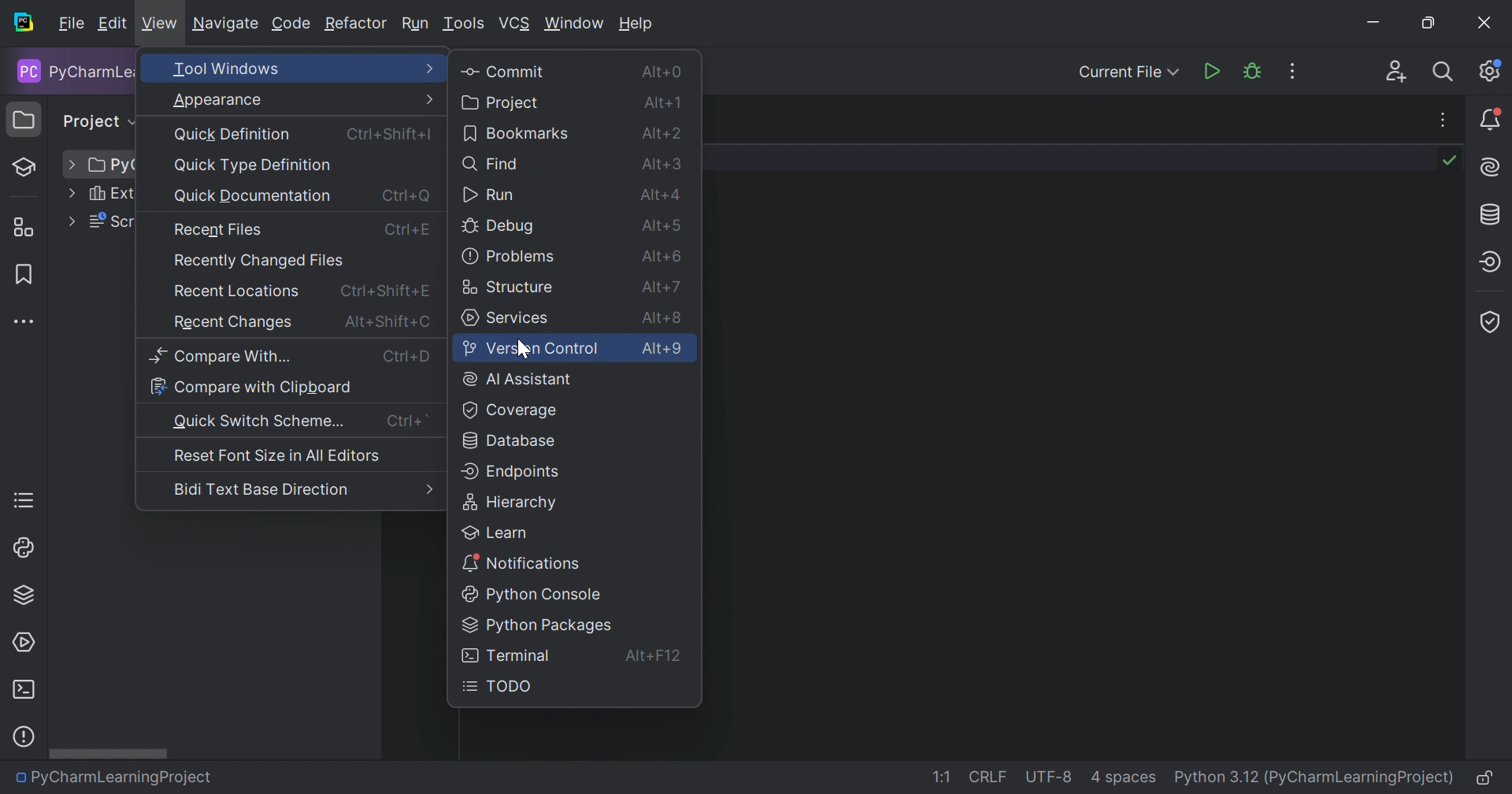 This screenshot has width=1512, height=794. I want to click on Ctrl+D, so click(408, 356).